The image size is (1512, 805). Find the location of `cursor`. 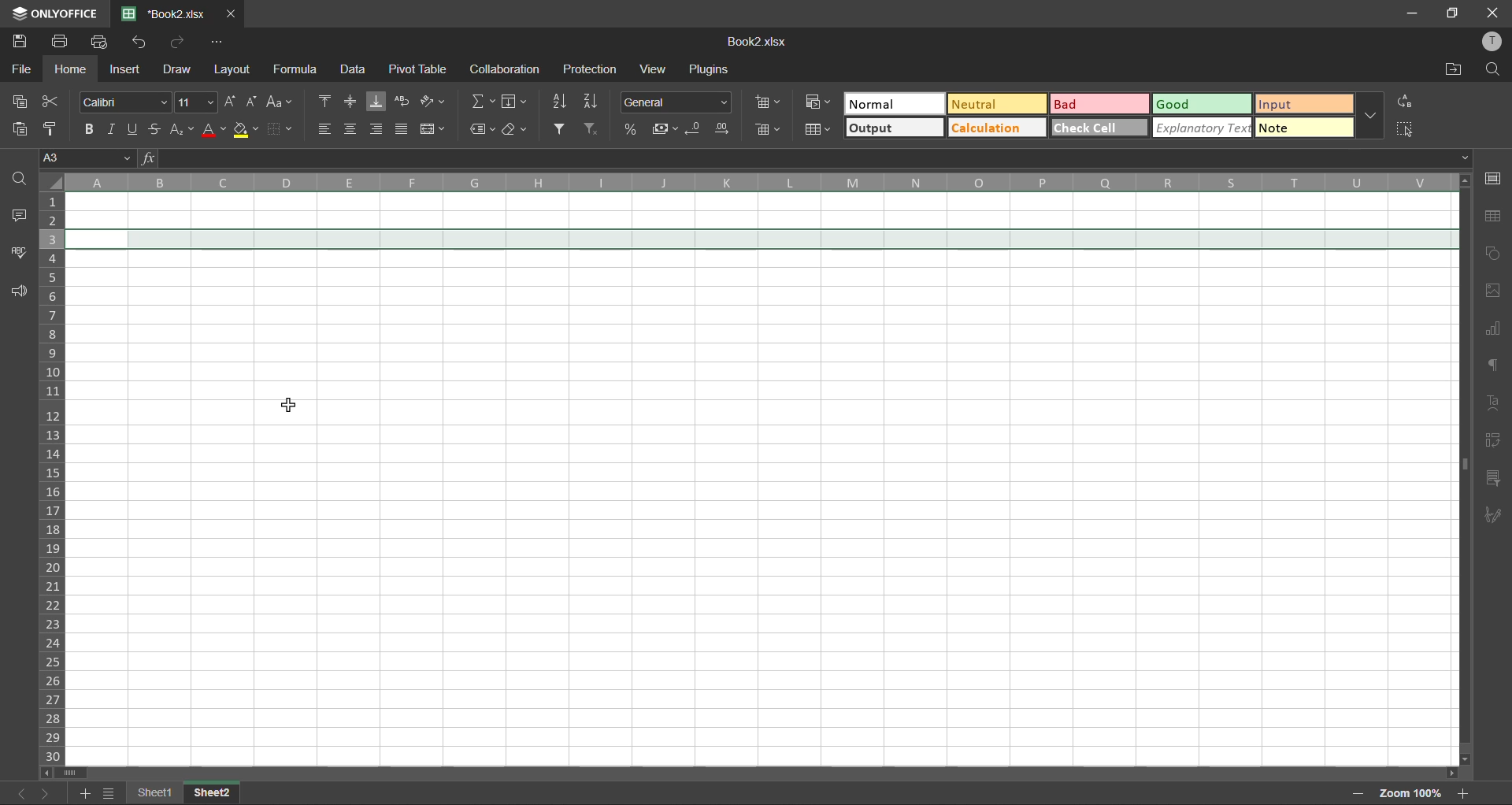

cursor is located at coordinates (286, 406).